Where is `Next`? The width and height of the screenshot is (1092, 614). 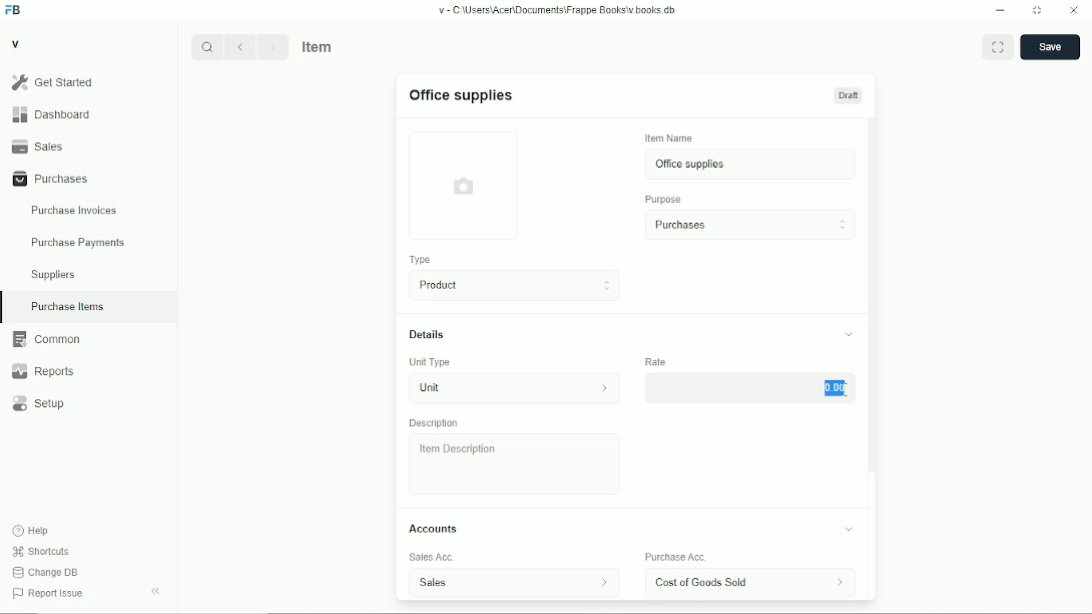 Next is located at coordinates (273, 46).